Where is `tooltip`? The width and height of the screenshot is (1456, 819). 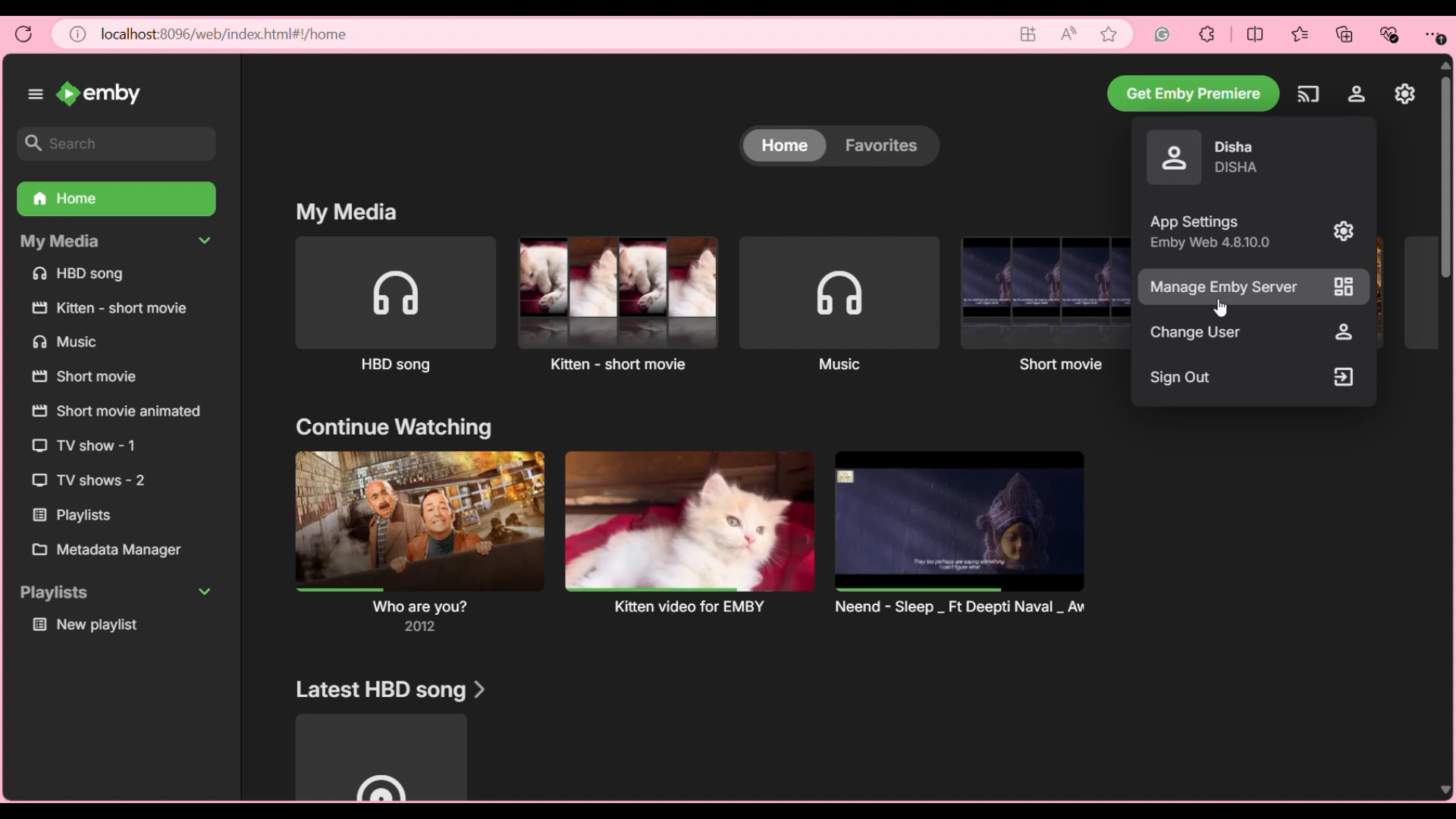 tooltip is located at coordinates (1396, 125).